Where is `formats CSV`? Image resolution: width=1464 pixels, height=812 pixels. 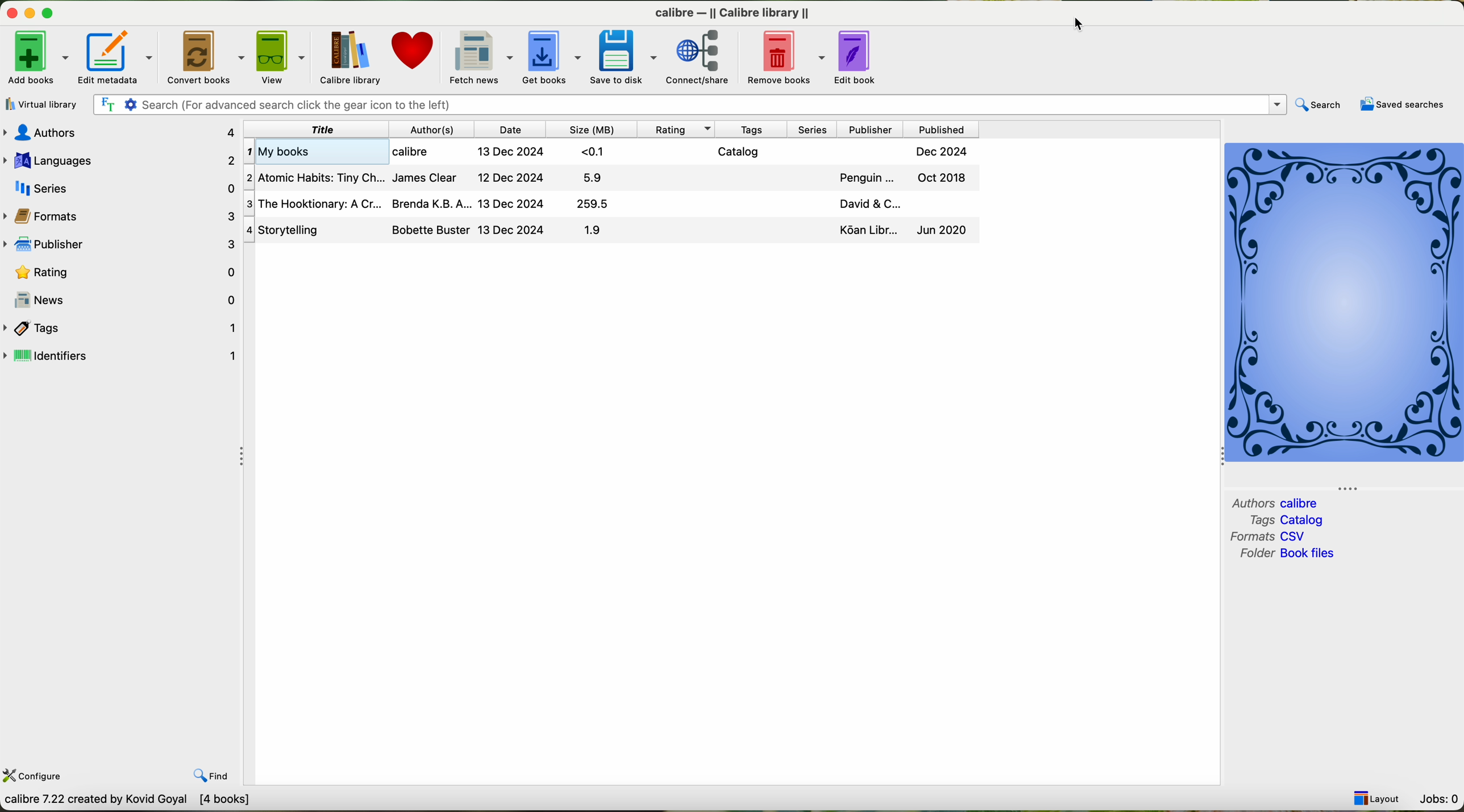 formats CSV is located at coordinates (1247, 538).